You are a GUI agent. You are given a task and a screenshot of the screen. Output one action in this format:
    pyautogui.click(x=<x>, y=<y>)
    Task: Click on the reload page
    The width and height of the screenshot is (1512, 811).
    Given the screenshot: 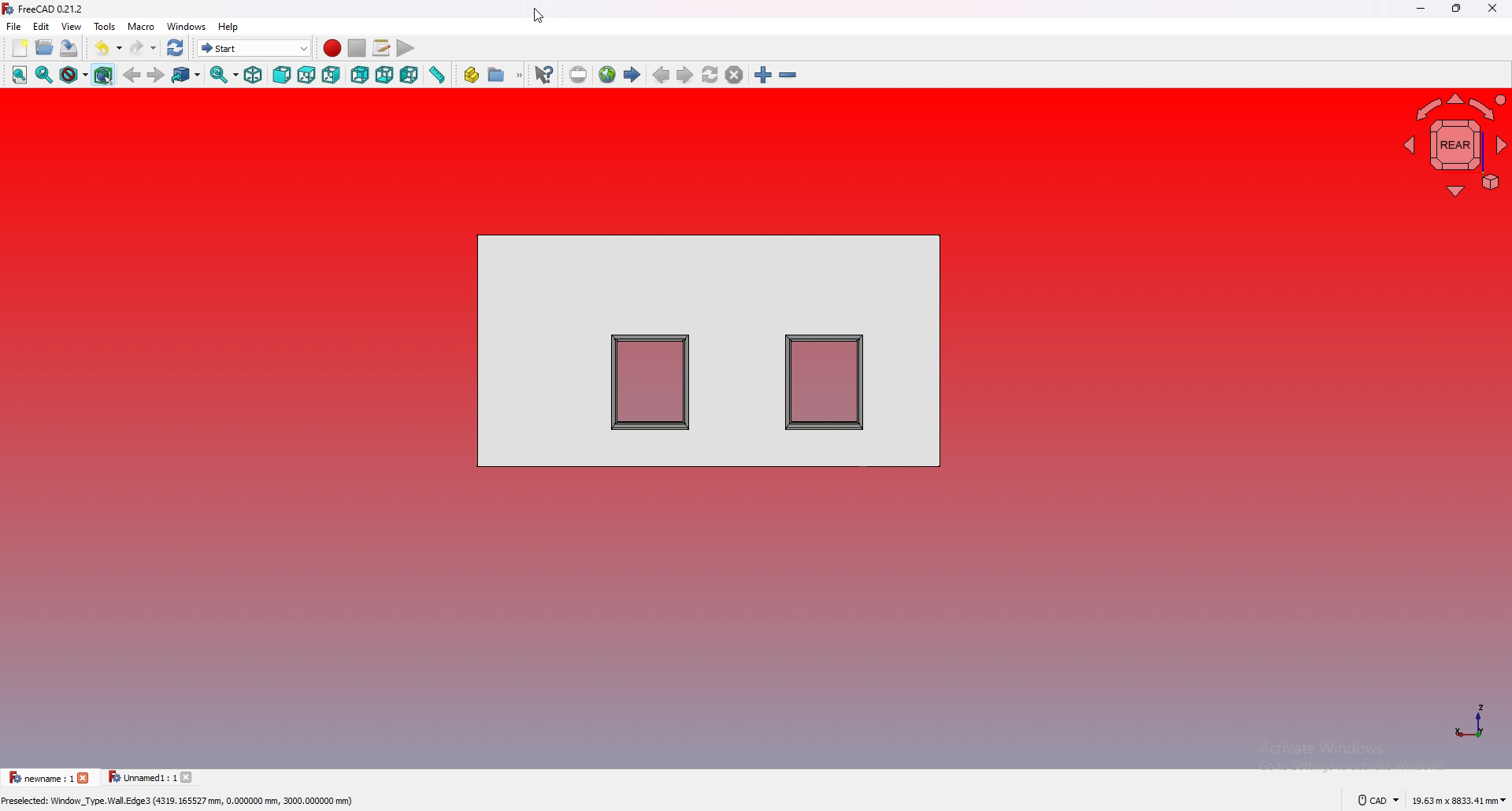 What is the action you would take?
    pyautogui.click(x=710, y=75)
    